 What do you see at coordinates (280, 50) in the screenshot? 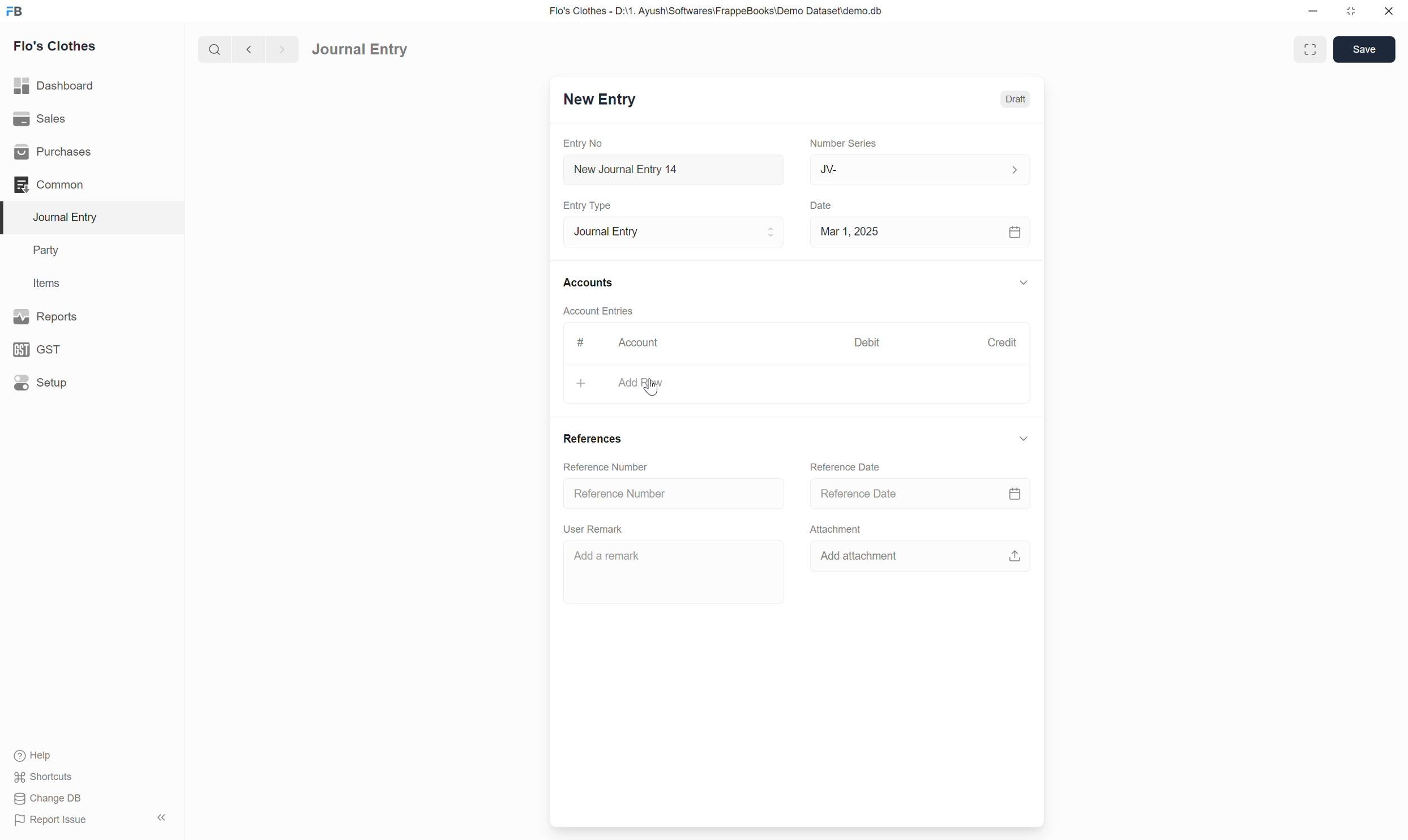
I see `forward` at bounding box center [280, 50].